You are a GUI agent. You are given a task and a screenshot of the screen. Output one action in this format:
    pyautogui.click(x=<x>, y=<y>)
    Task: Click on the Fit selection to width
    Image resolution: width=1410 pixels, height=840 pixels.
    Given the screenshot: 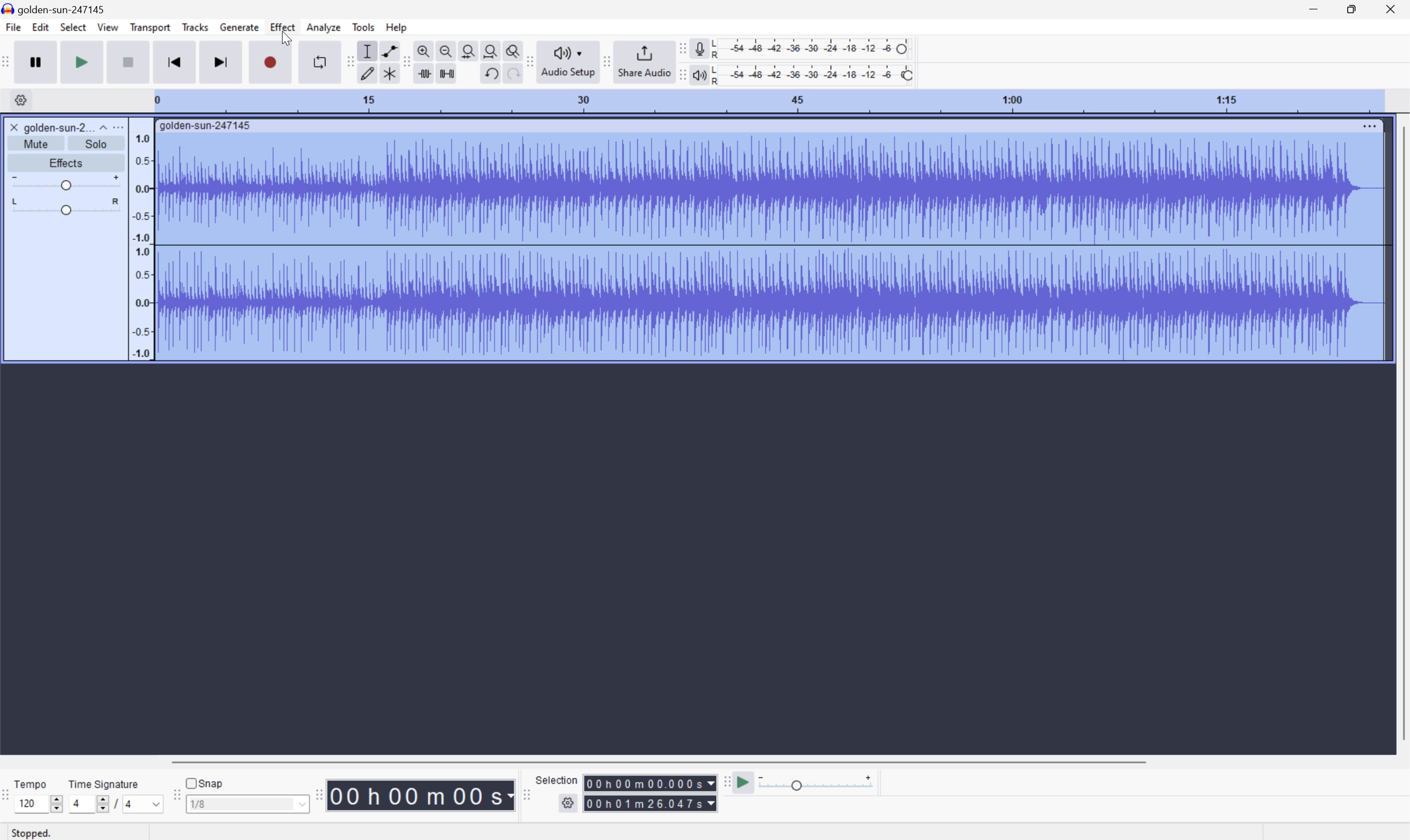 What is the action you would take?
    pyautogui.click(x=467, y=50)
    